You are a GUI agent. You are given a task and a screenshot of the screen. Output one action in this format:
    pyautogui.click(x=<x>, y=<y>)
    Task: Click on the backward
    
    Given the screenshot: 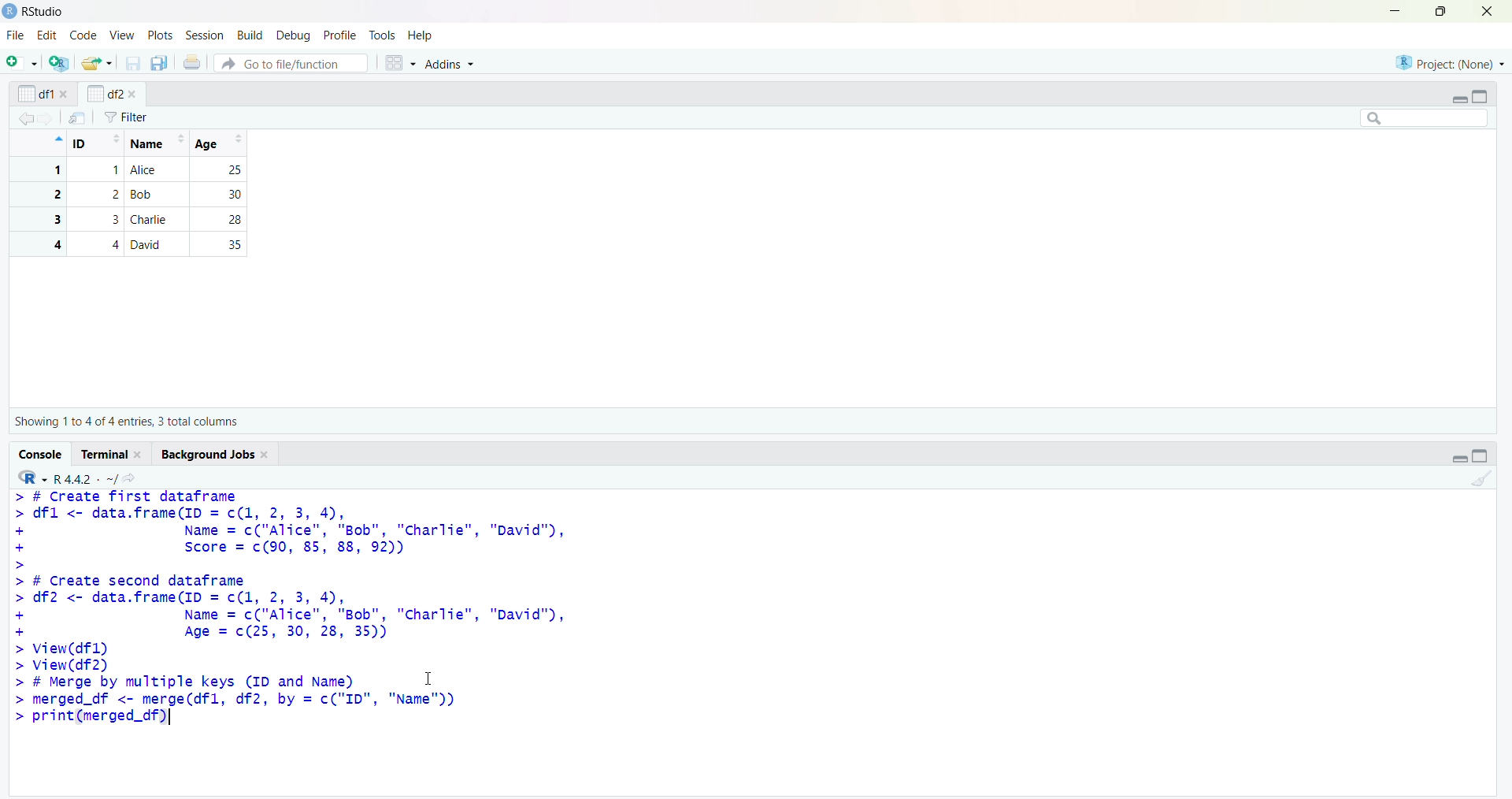 What is the action you would take?
    pyautogui.click(x=25, y=118)
    